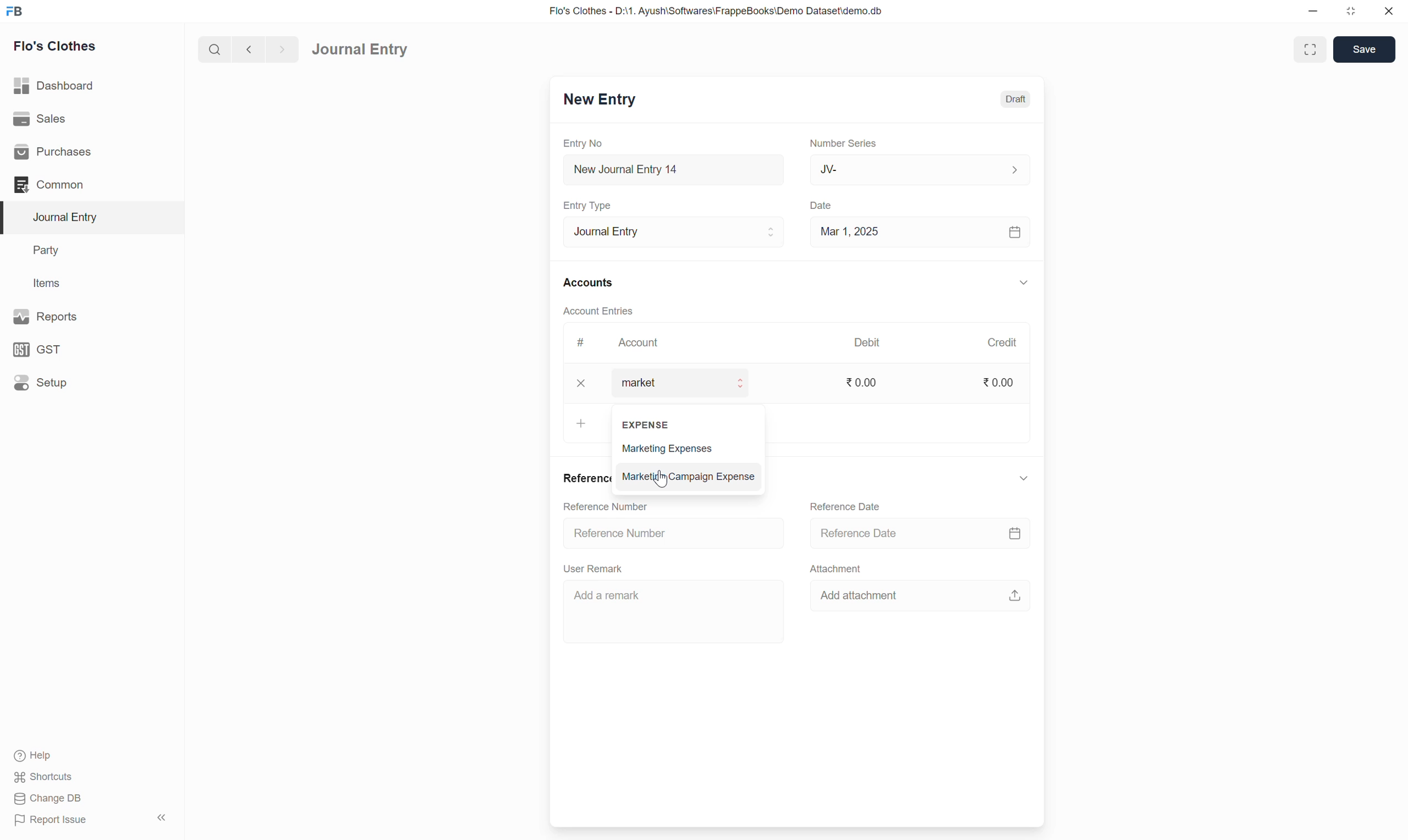 Image resolution: width=1408 pixels, height=840 pixels. Describe the element at coordinates (1016, 596) in the screenshot. I see `upload` at that location.